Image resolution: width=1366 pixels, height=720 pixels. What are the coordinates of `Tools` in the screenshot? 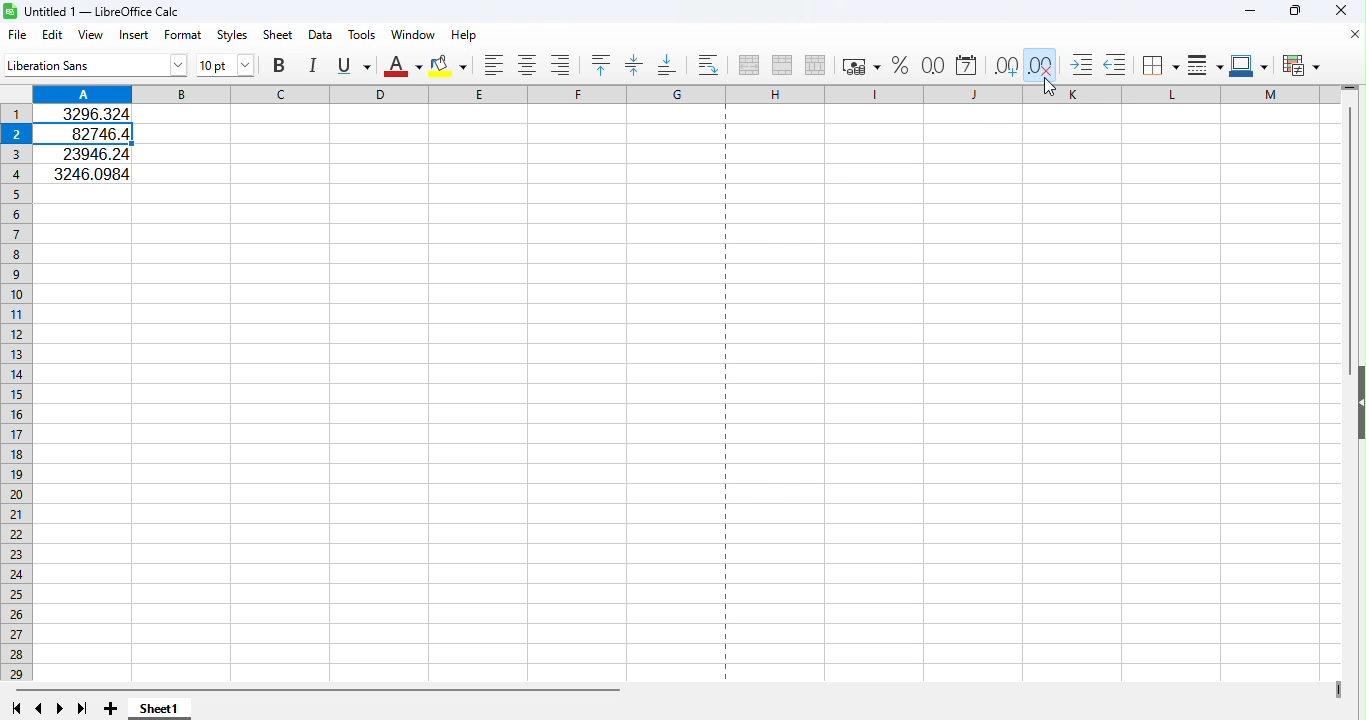 It's located at (362, 36).